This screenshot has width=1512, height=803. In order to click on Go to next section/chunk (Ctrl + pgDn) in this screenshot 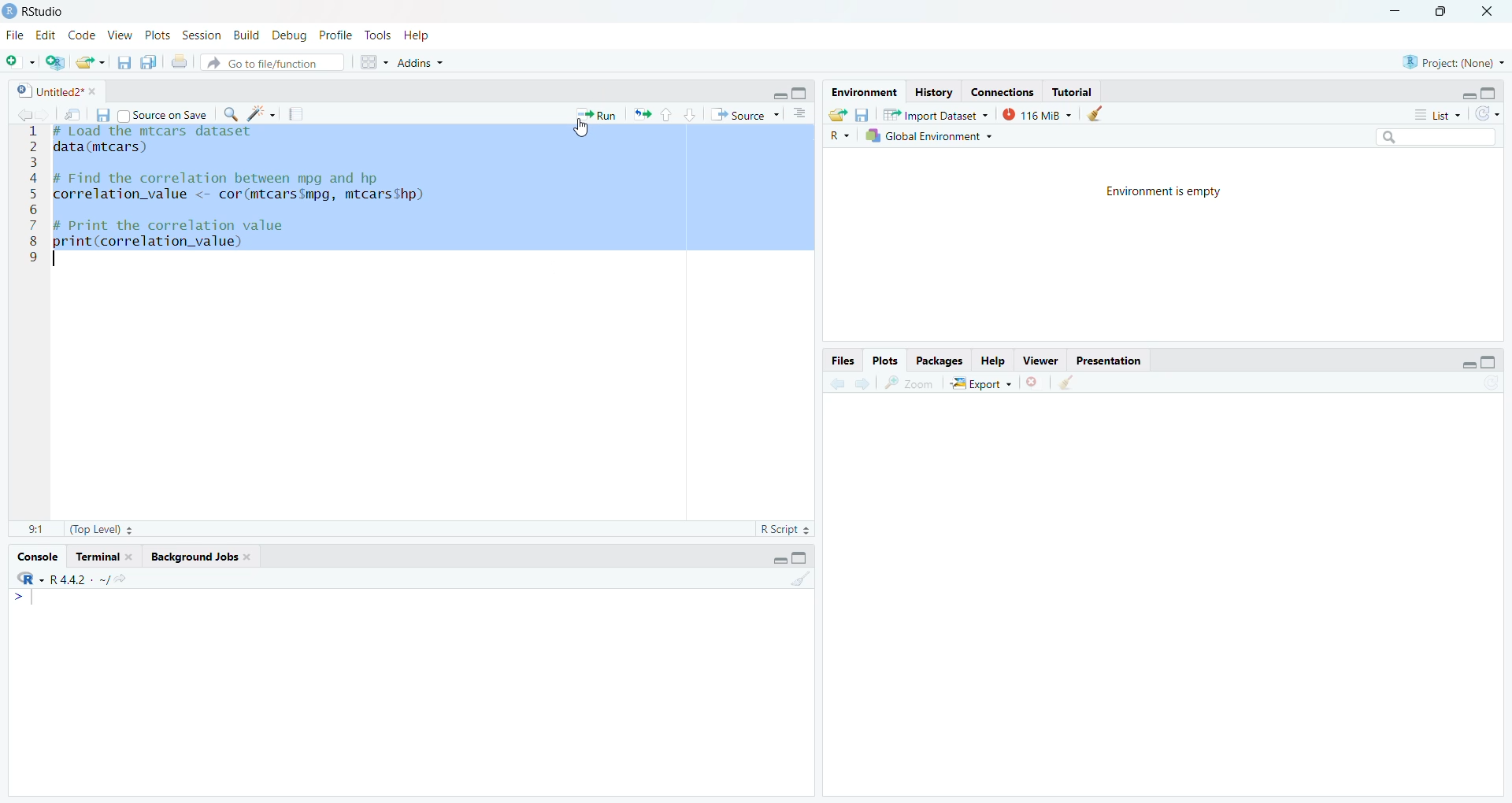, I will do `click(691, 113)`.